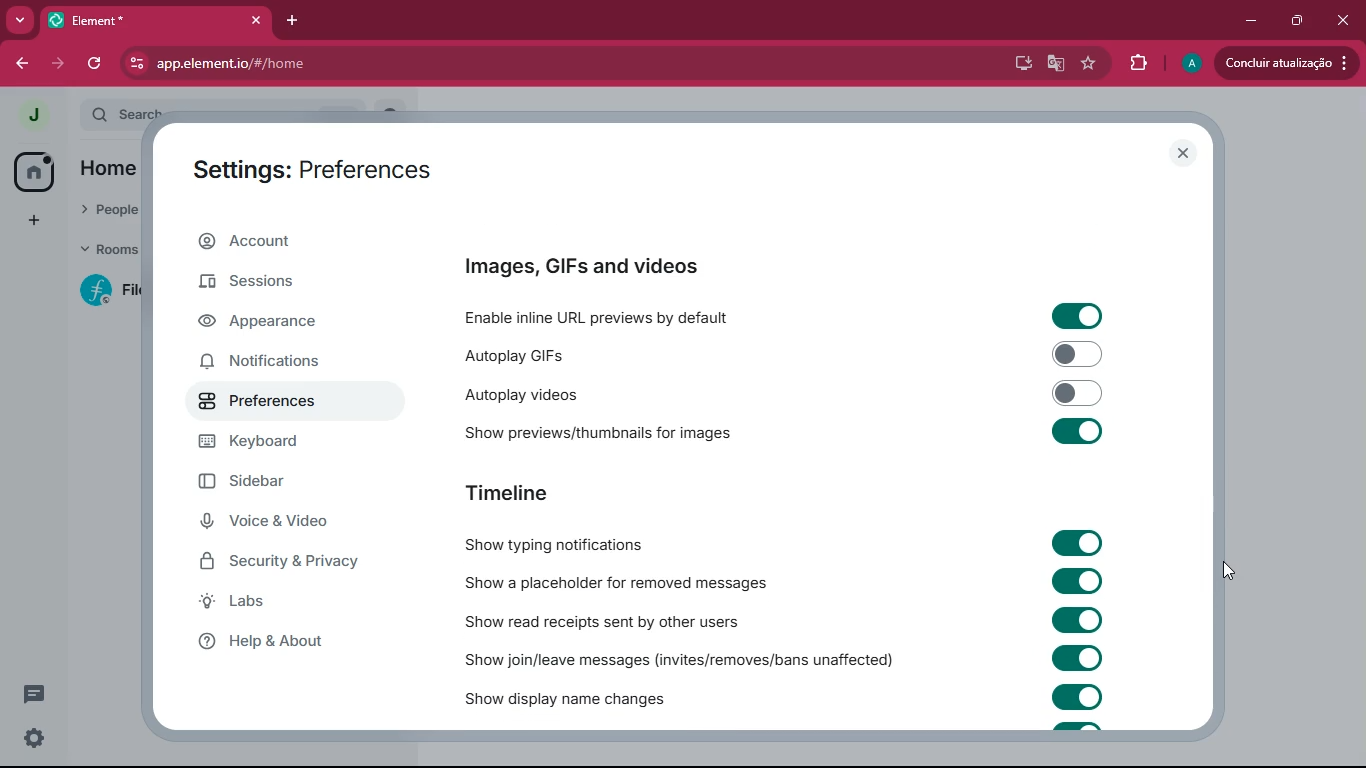 This screenshot has height=768, width=1366. Describe the element at coordinates (1018, 63) in the screenshot. I see `desktop` at that location.